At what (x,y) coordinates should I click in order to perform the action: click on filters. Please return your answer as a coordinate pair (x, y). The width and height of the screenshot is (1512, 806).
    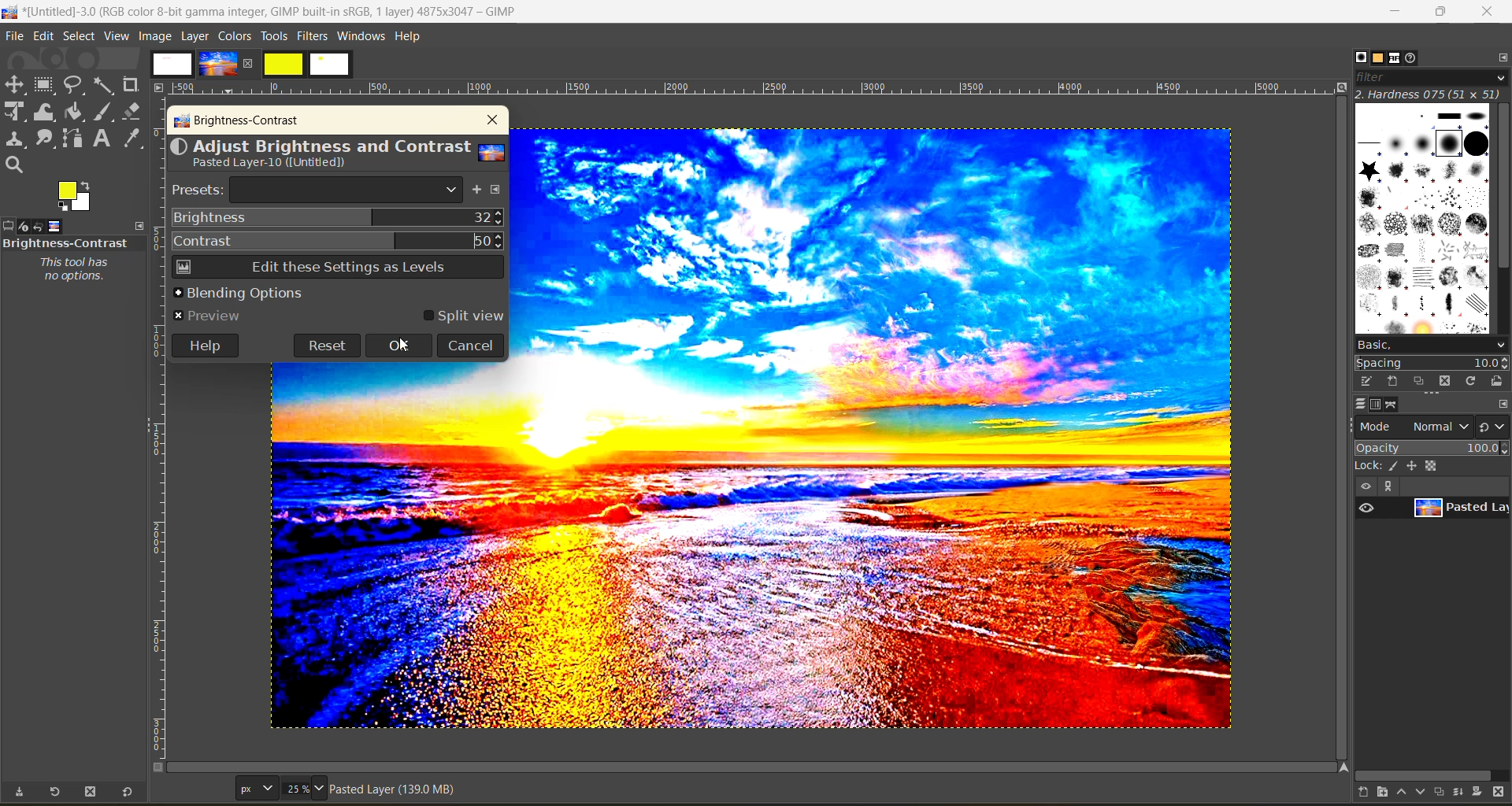
    Looking at the image, I should click on (314, 35).